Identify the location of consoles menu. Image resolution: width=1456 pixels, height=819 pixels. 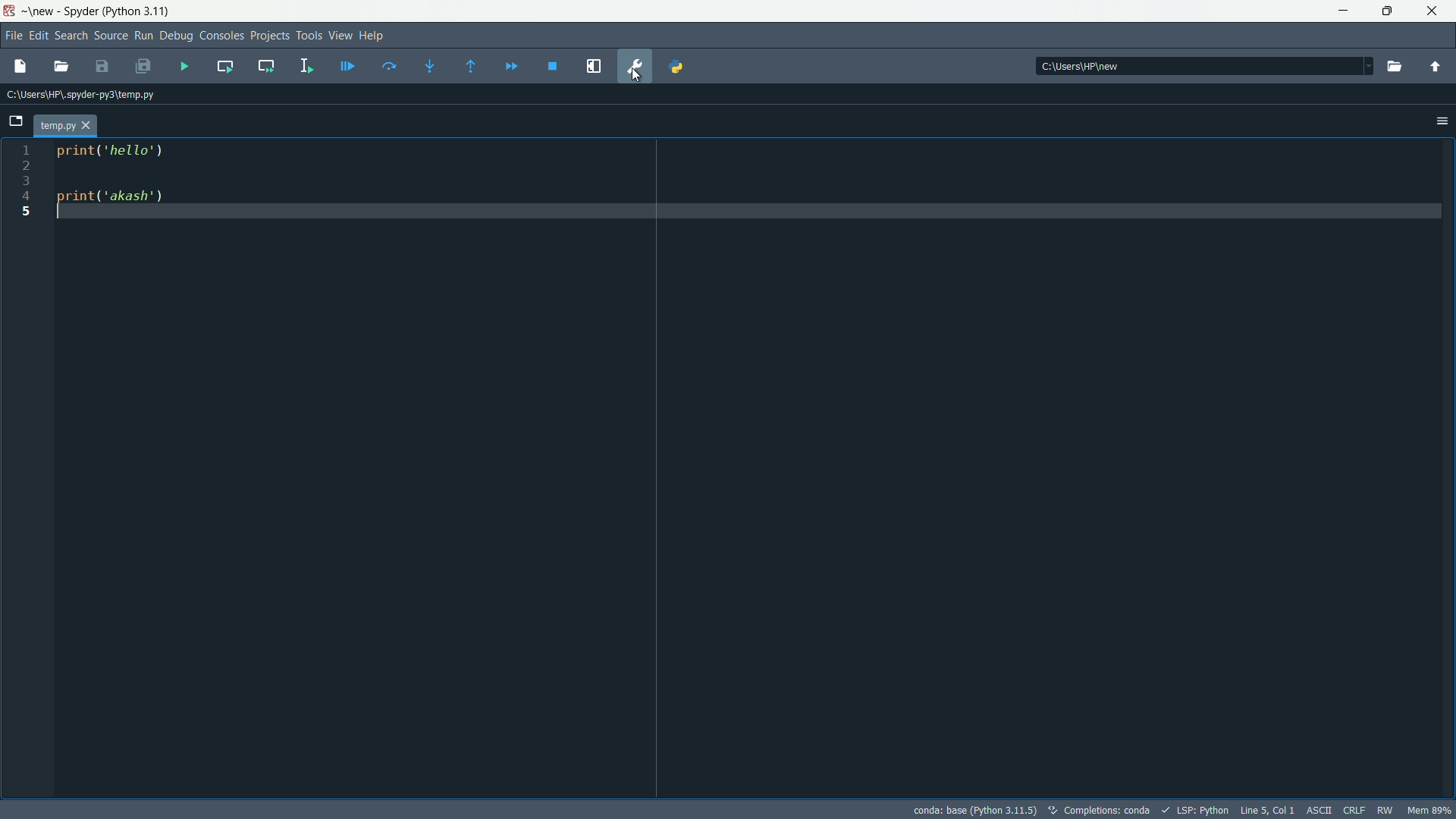
(222, 36).